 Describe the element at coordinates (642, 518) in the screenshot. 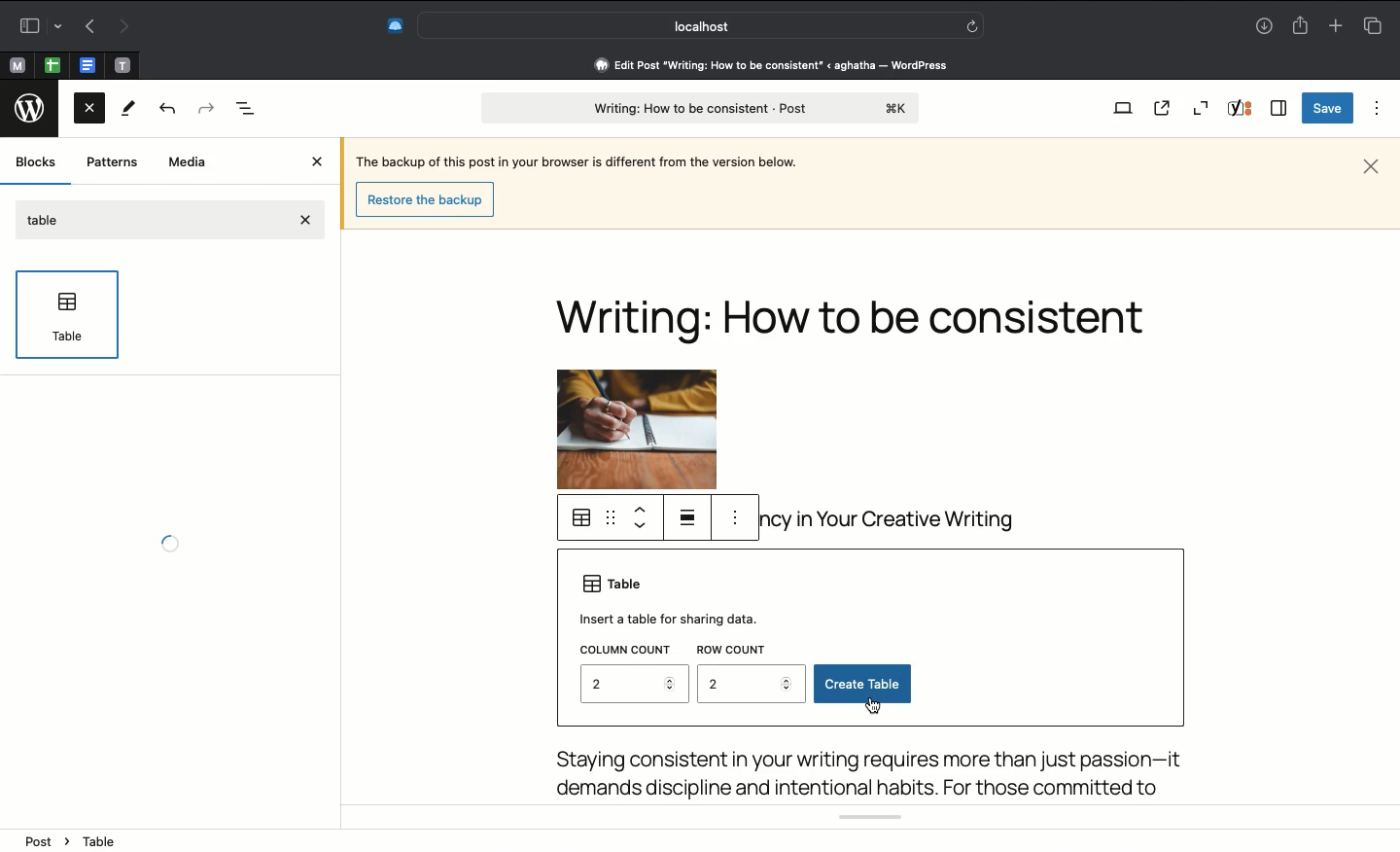

I see `Move up move down` at that location.